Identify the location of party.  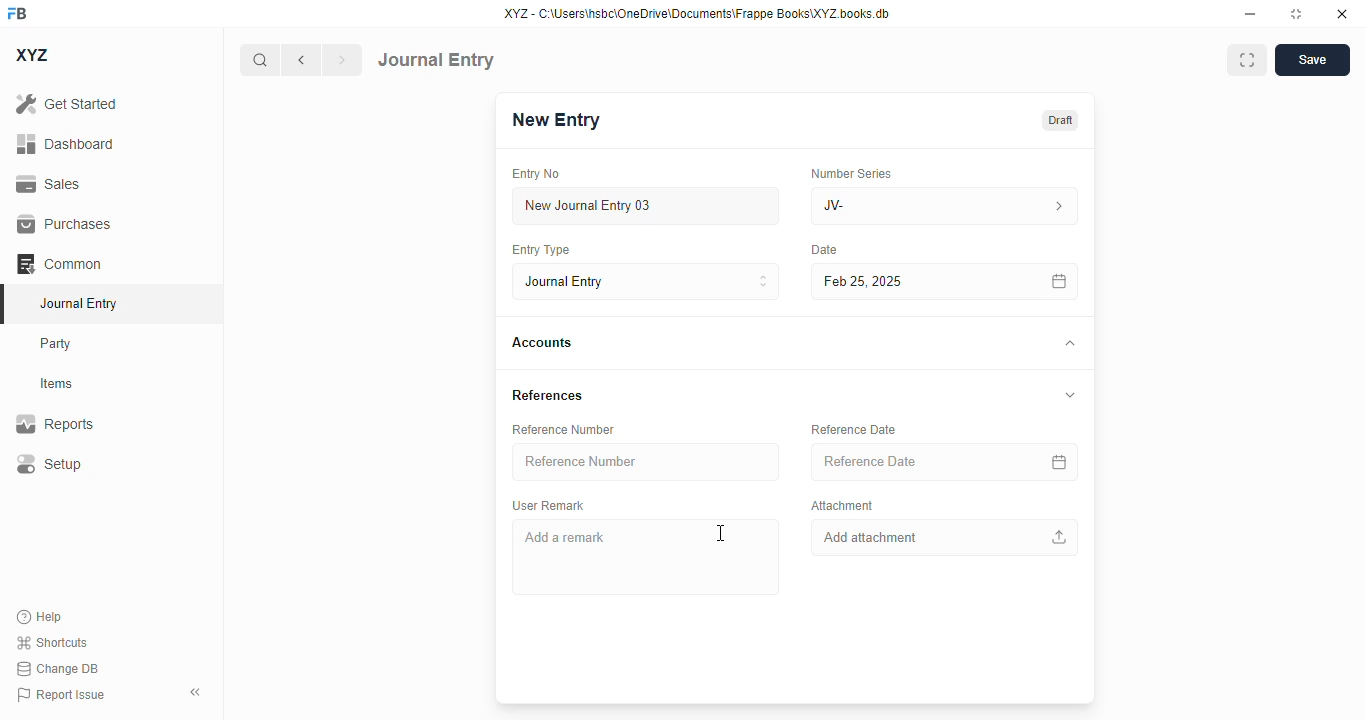
(56, 344).